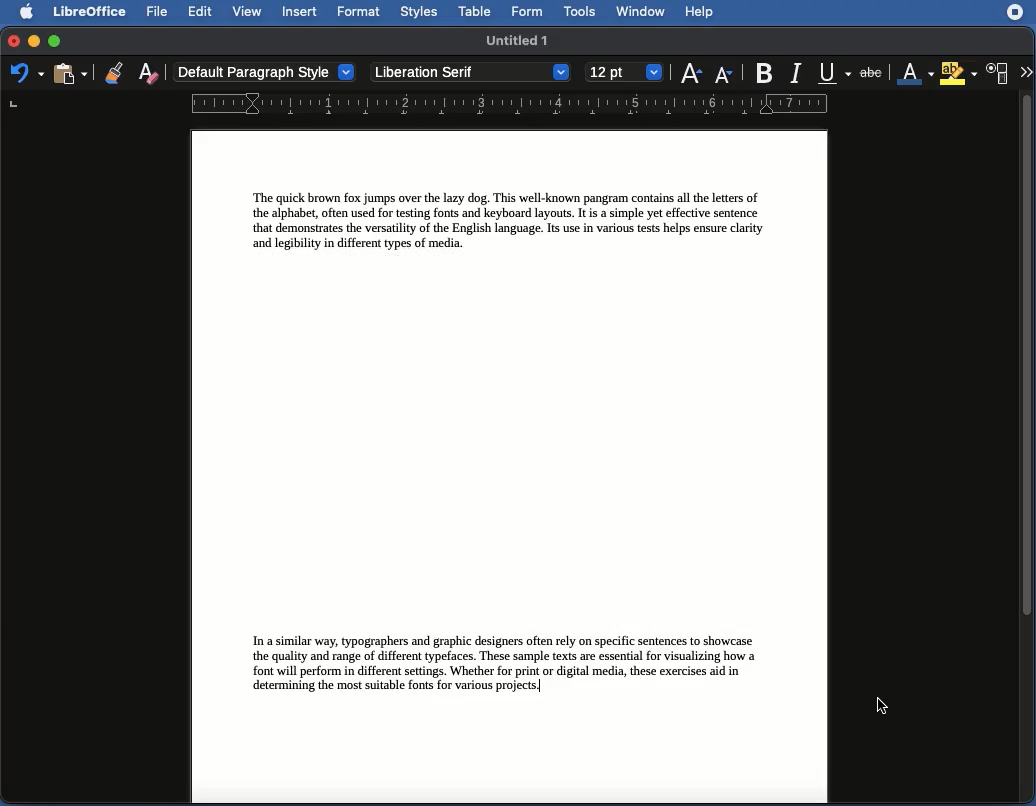 The height and width of the screenshot is (806, 1036). Describe the element at coordinates (201, 11) in the screenshot. I see `Edit` at that location.